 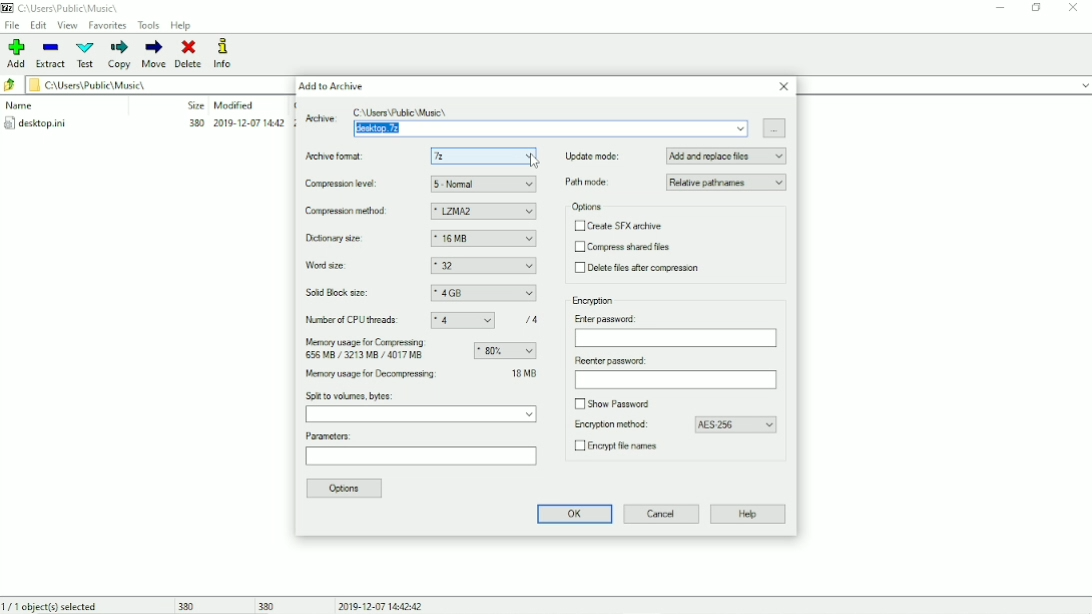 What do you see at coordinates (676, 155) in the screenshot?
I see `Update mode` at bounding box center [676, 155].